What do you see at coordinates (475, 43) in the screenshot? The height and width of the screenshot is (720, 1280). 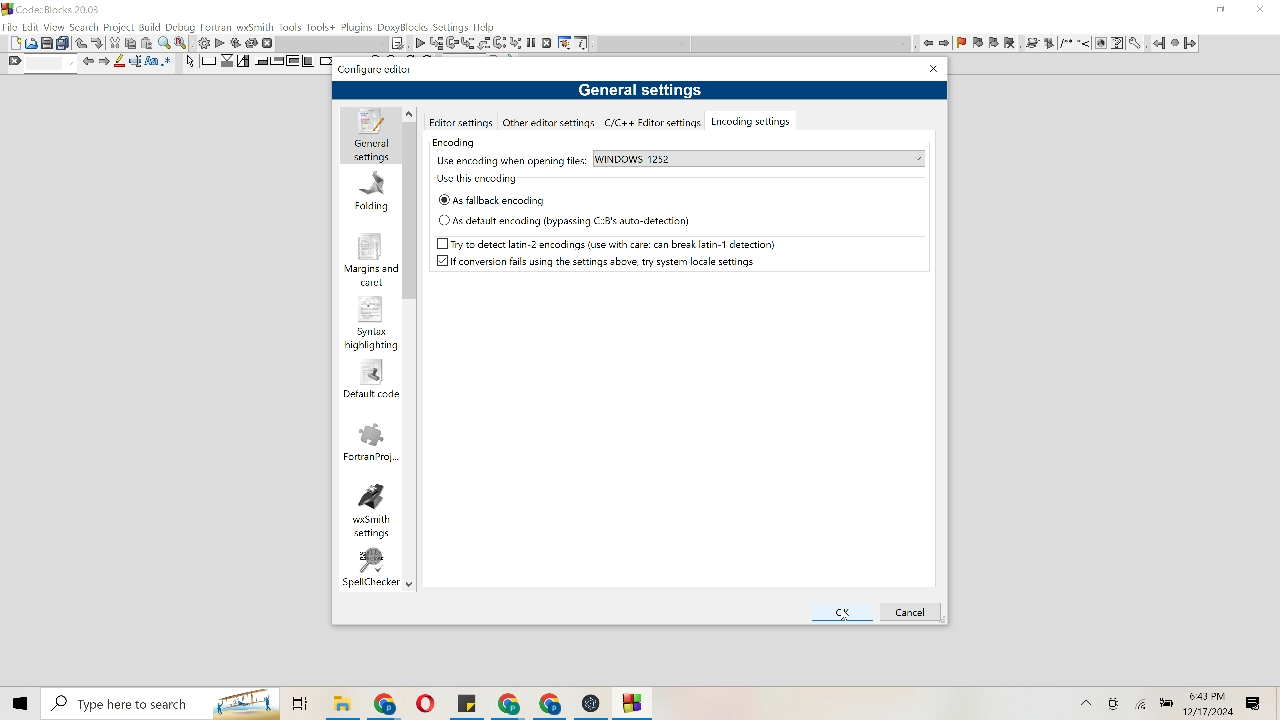 I see `List` at bounding box center [475, 43].